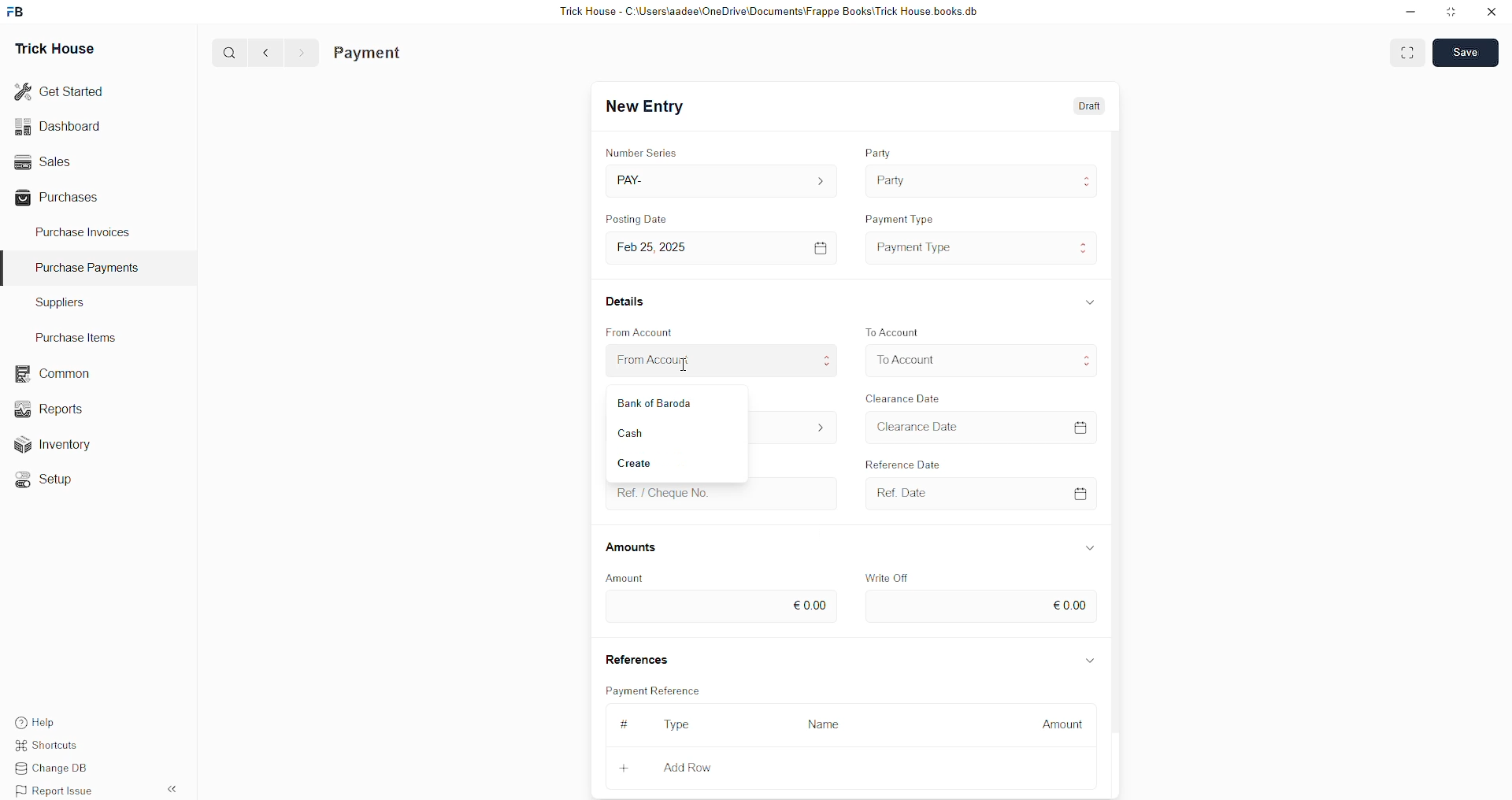 Image resolution: width=1512 pixels, height=800 pixels. Describe the element at coordinates (85, 231) in the screenshot. I see `Purchase Invoices` at that location.